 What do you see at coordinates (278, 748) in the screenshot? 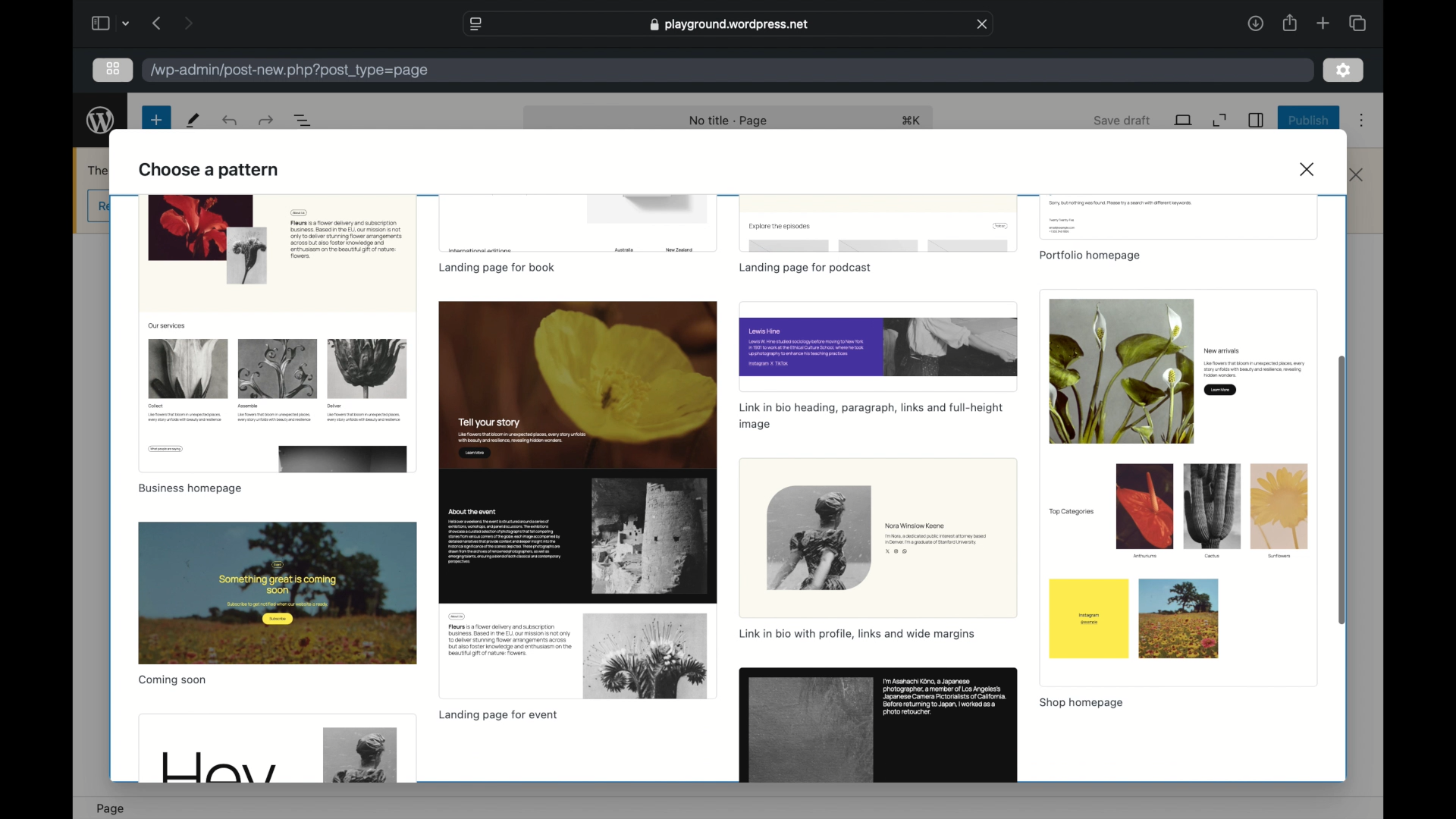
I see `preview` at bounding box center [278, 748].